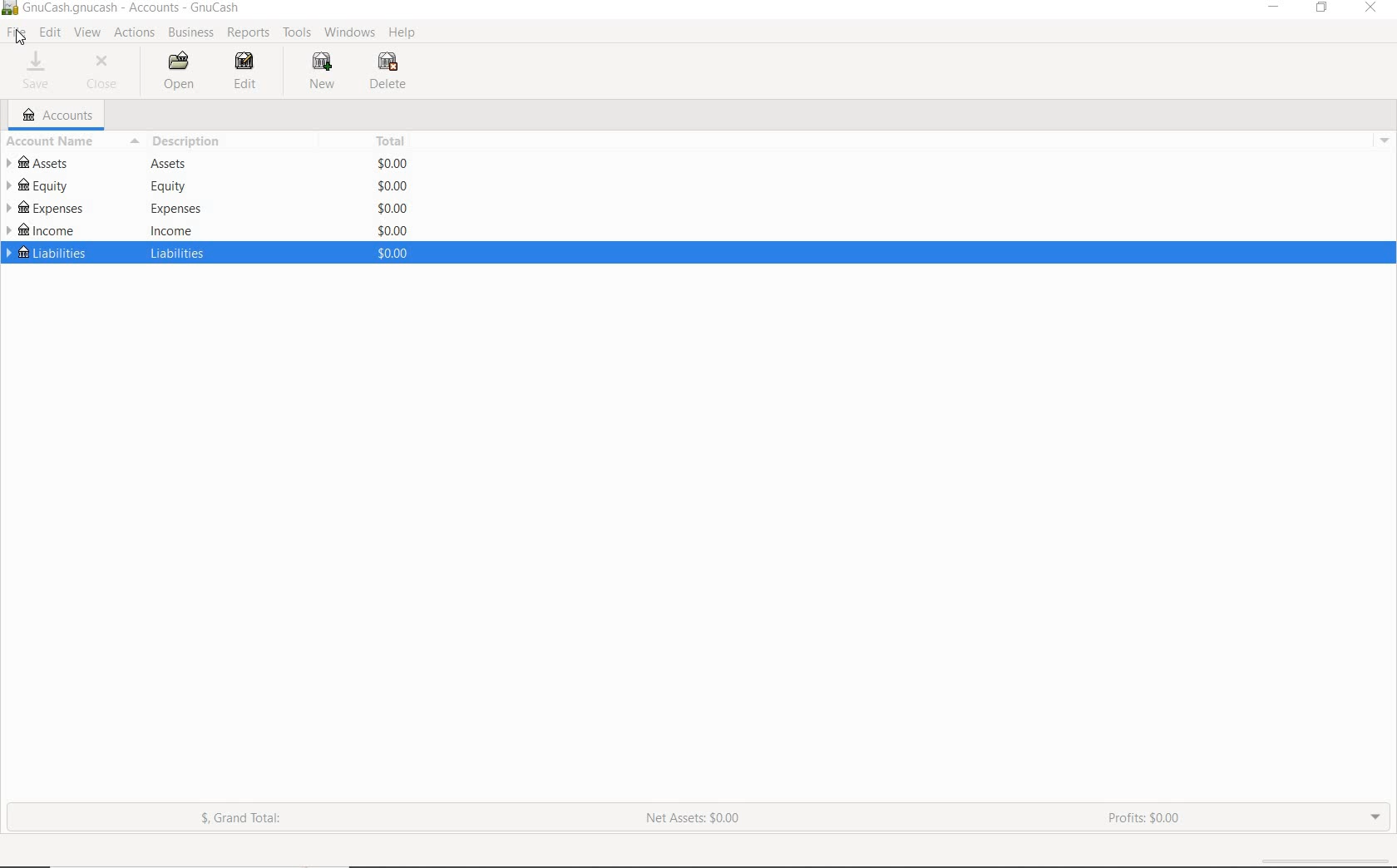 This screenshot has width=1397, height=868. Describe the element at coordinates (46, 255) in the screenshot. I see `LIABILITIES` at that location.